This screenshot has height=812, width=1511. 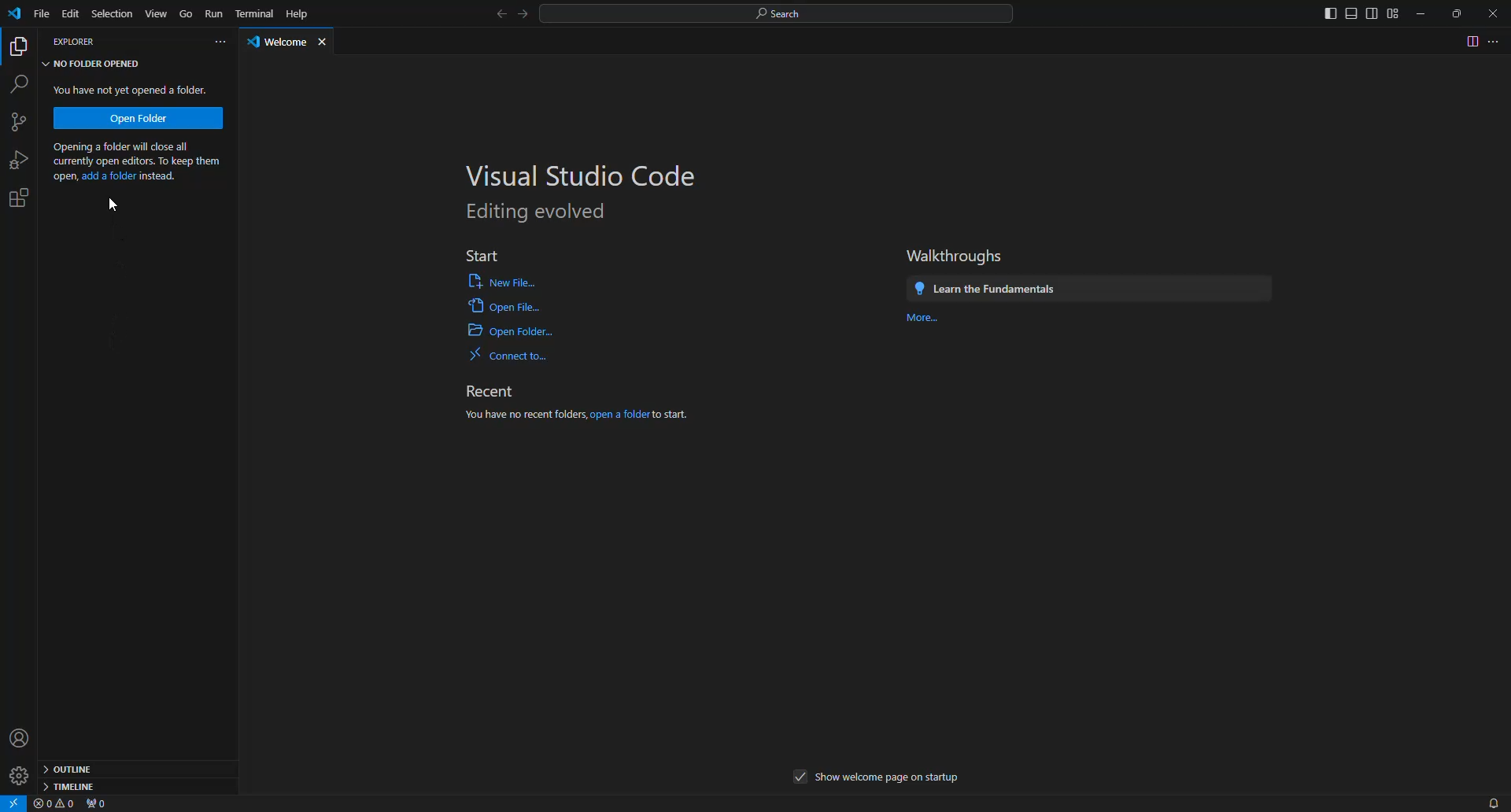 What do you see at coordinates (779, 13) in the screenshot?
I see `search` at bounding box center [779, 13].